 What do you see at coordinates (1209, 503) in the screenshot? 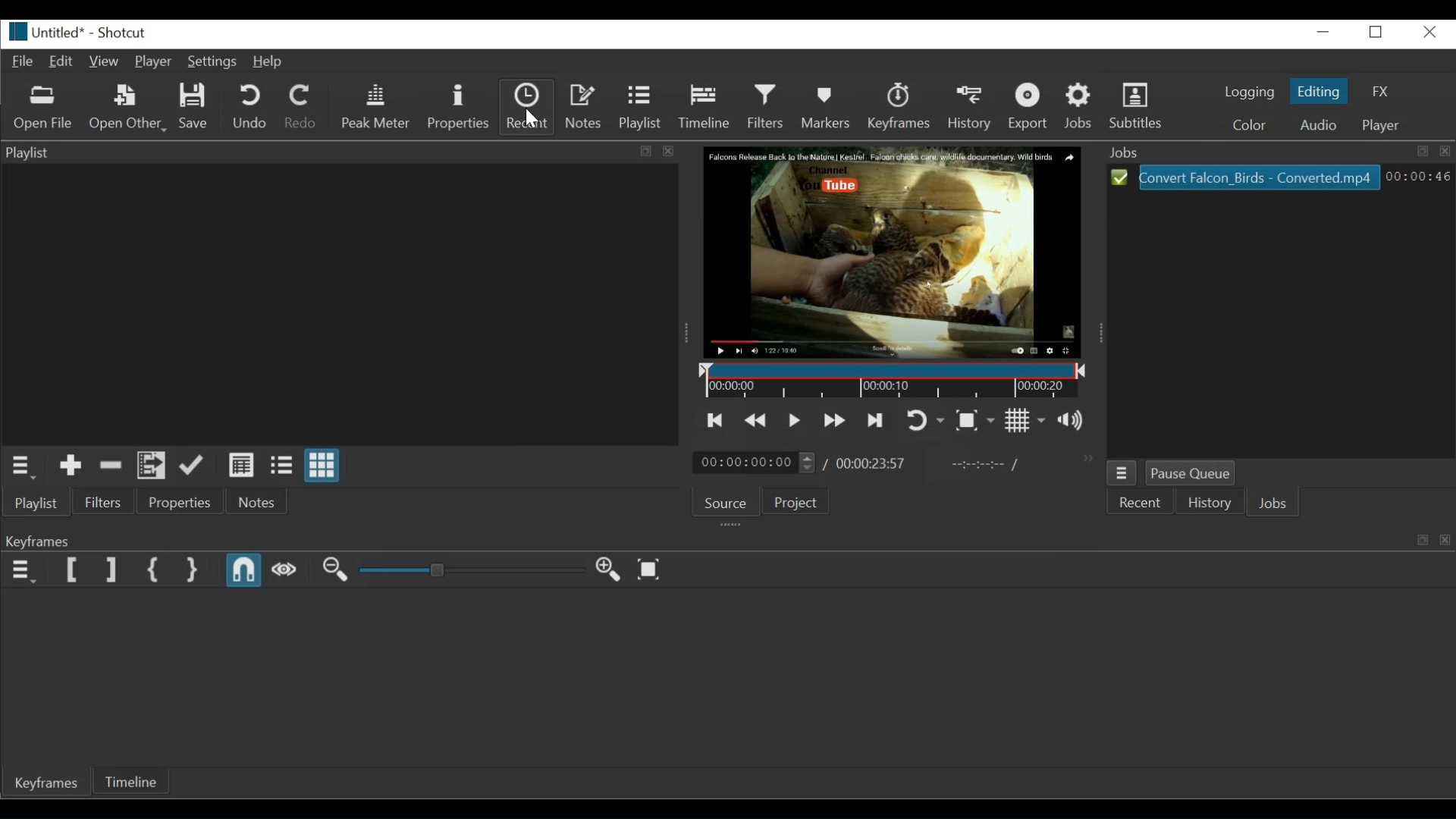
I see `History` at bounding box center [1209, 503].